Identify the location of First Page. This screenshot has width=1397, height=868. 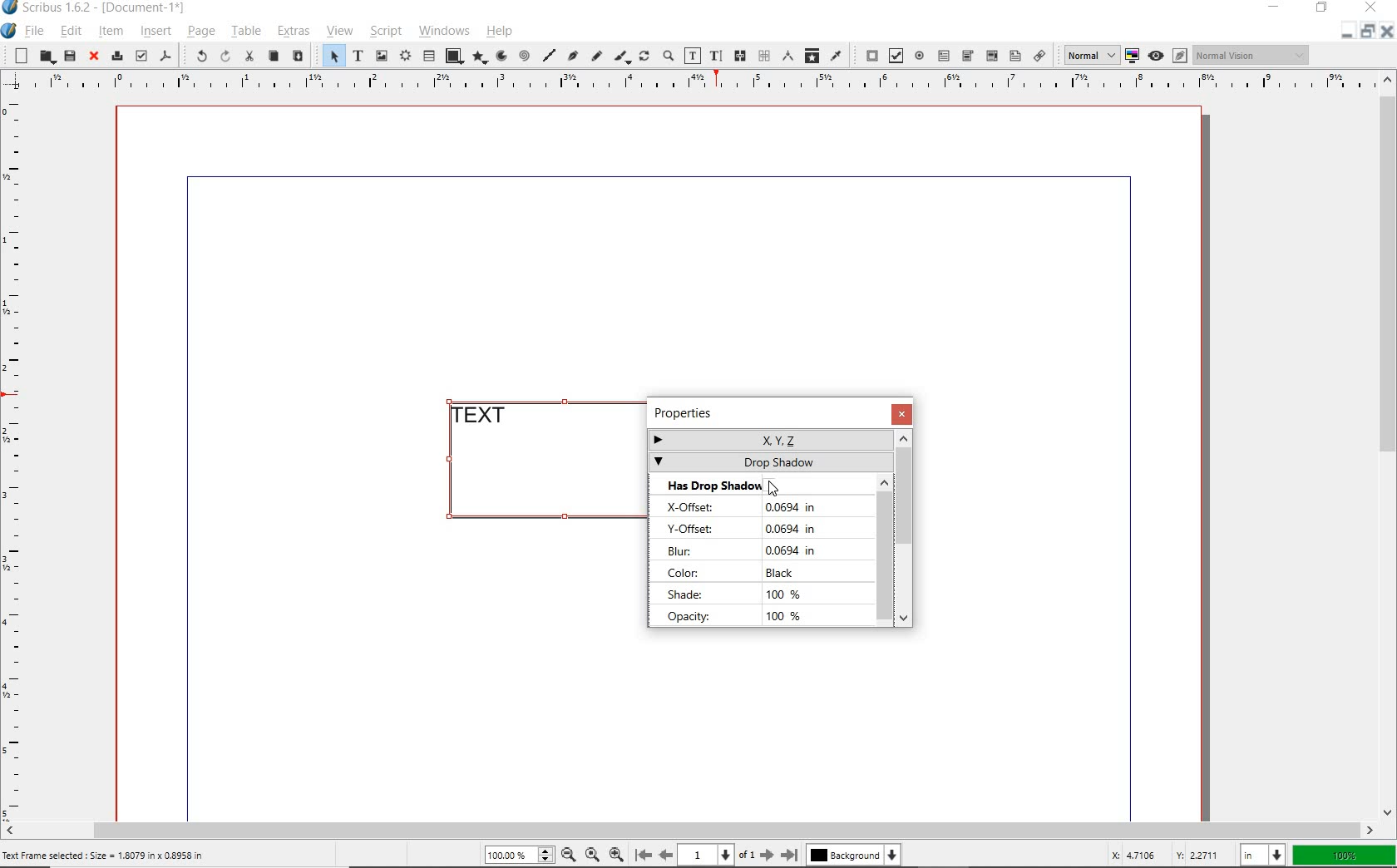
(644, 856).